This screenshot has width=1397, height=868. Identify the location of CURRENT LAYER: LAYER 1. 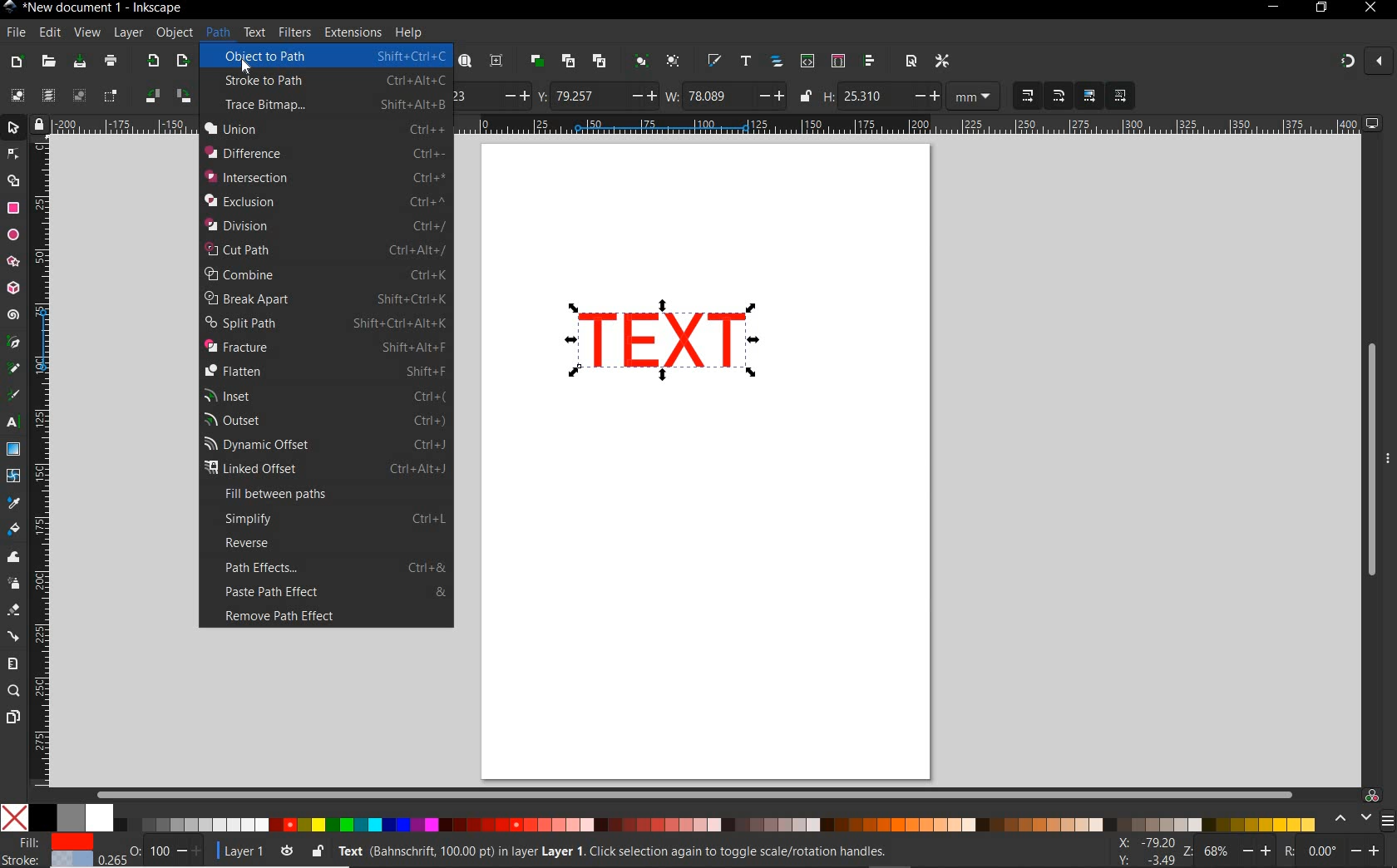
(242, 853).